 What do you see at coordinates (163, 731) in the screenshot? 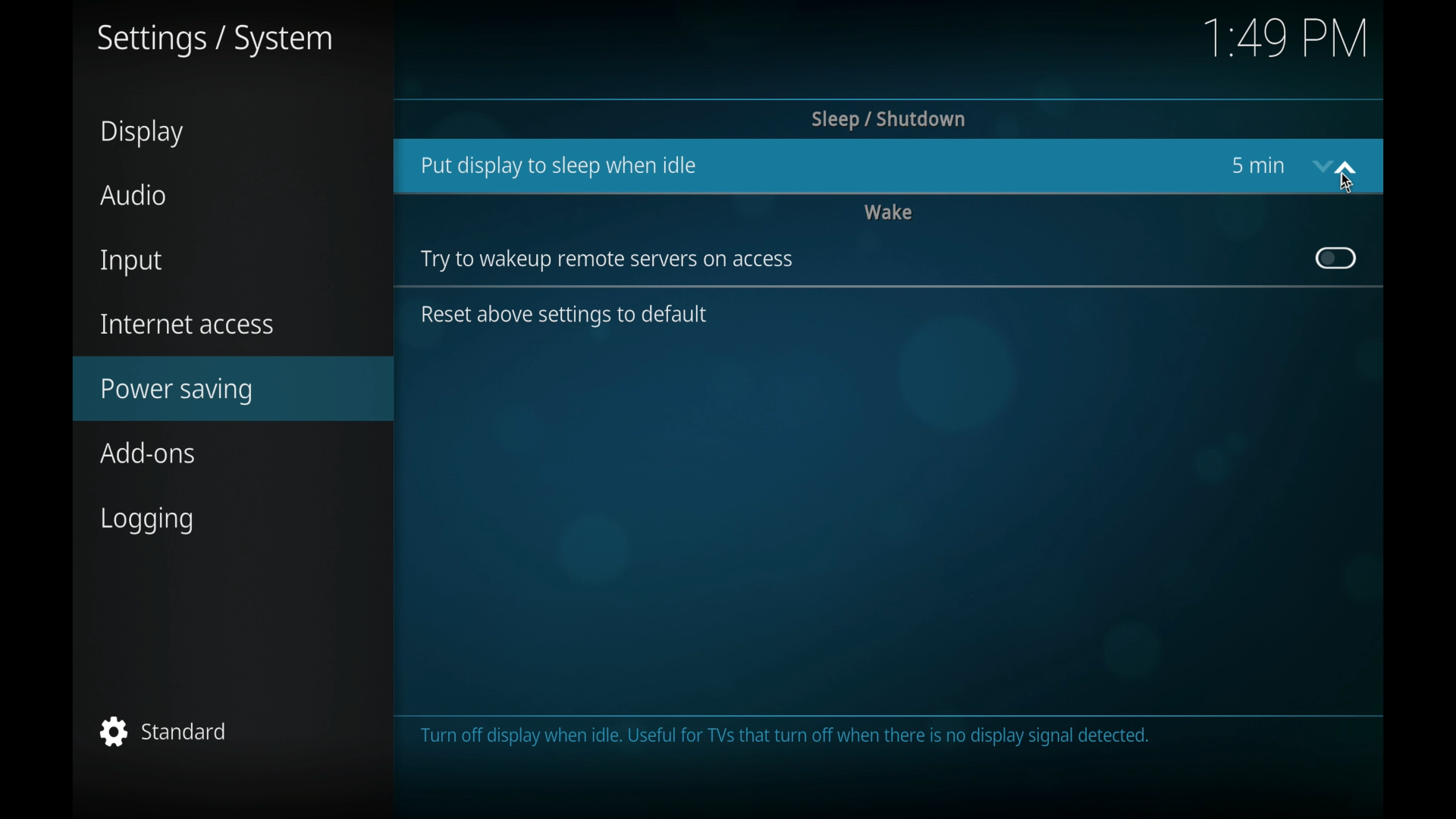
I see `standard` at bounding box center [163, 731].